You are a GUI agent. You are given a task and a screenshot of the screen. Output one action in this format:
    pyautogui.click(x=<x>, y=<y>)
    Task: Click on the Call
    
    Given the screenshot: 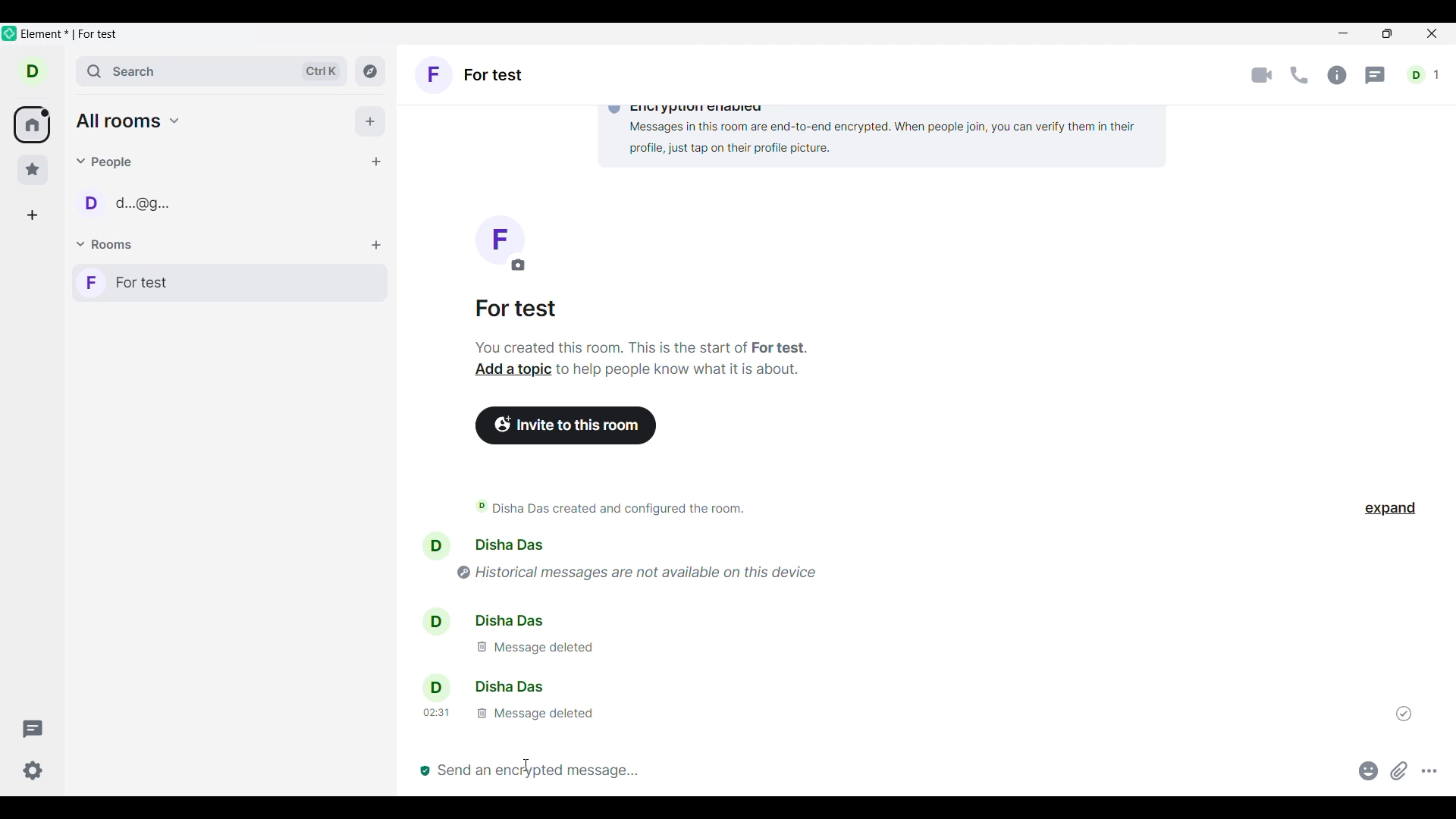 What is the action you would take?
    pyautogui.click(x=1299, y=75)
    